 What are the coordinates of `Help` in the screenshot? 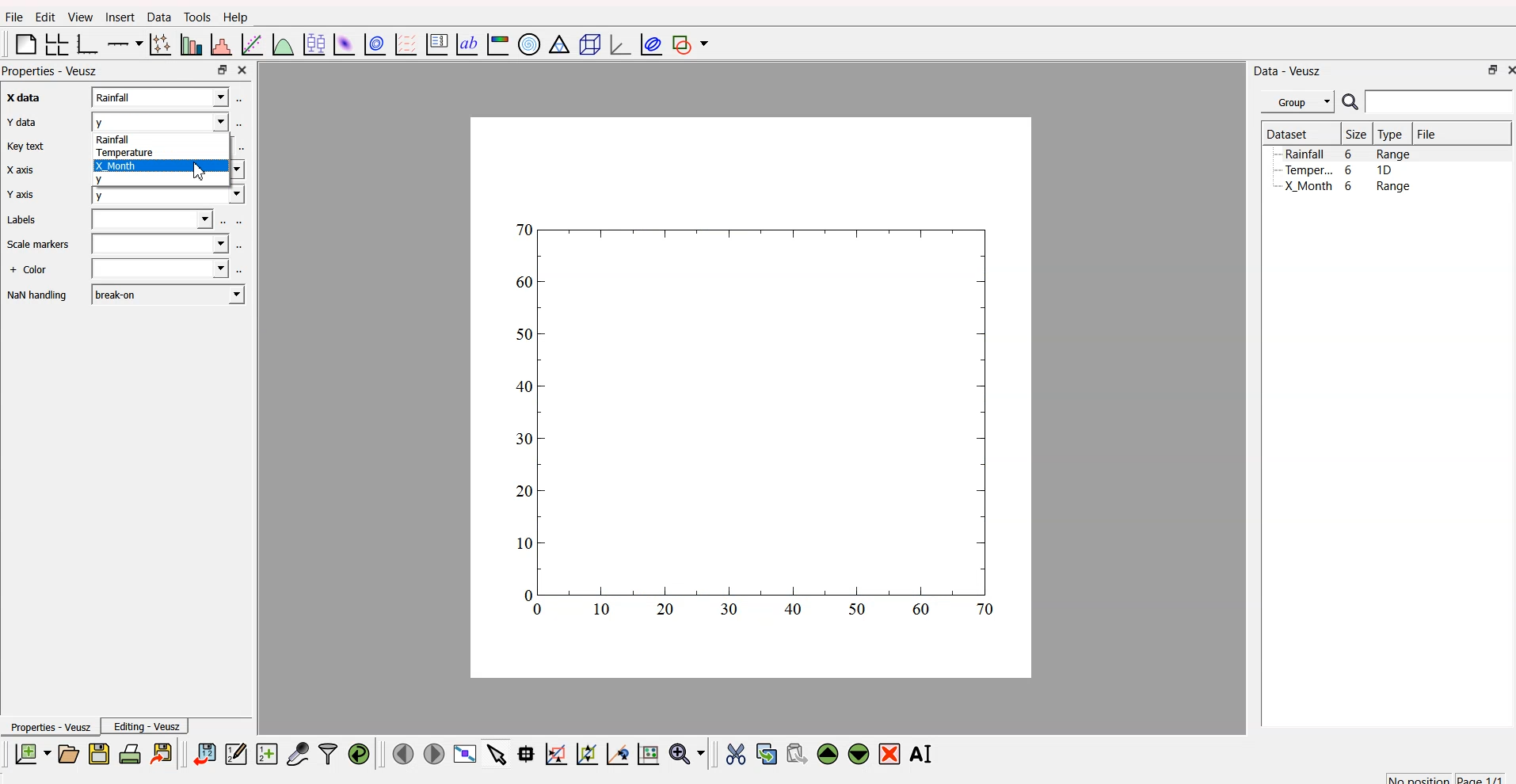 It's located at (235, 17).